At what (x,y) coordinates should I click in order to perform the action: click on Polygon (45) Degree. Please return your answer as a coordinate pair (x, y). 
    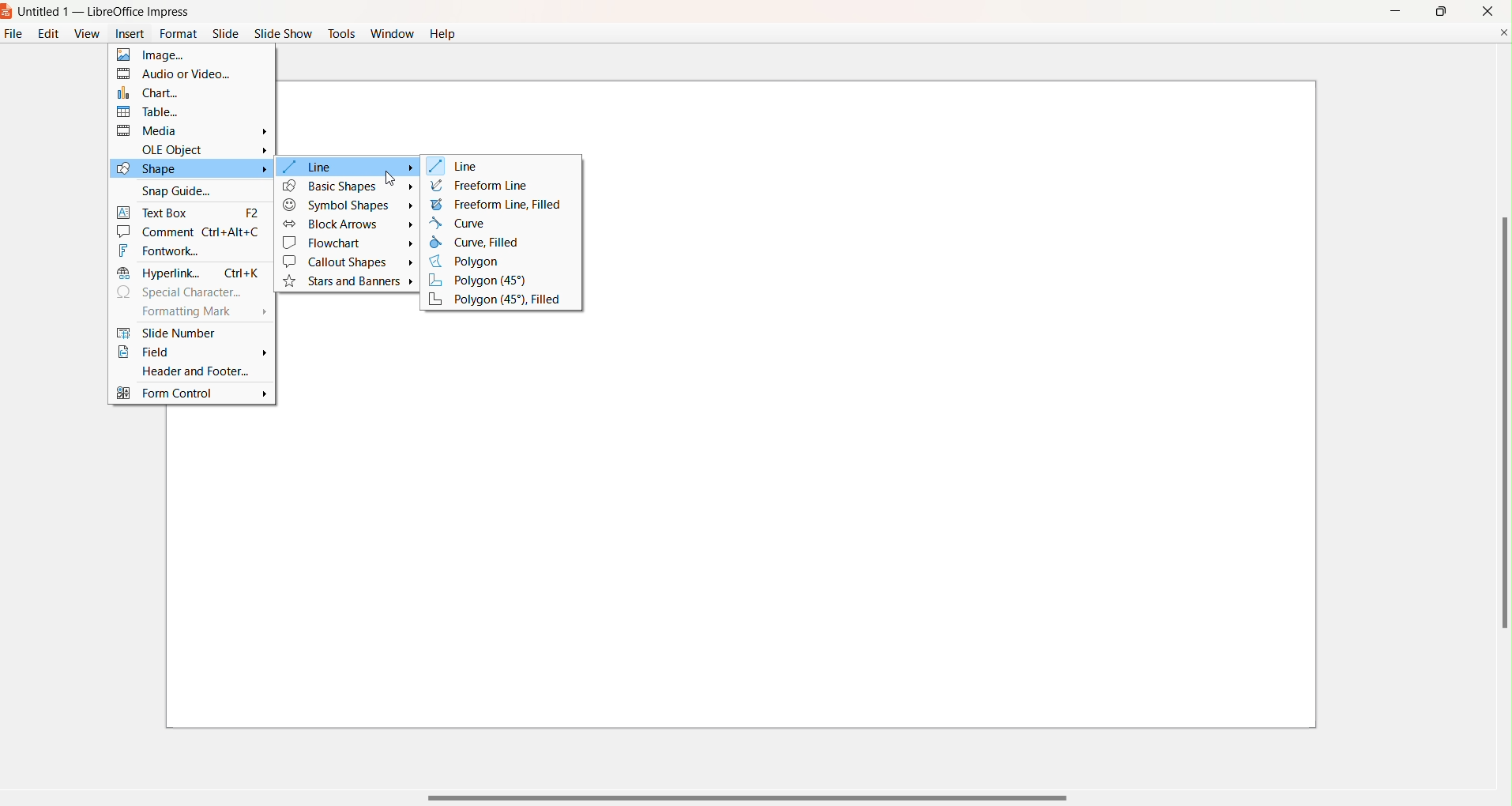
    Looking at the image, I should click on (491, 281).